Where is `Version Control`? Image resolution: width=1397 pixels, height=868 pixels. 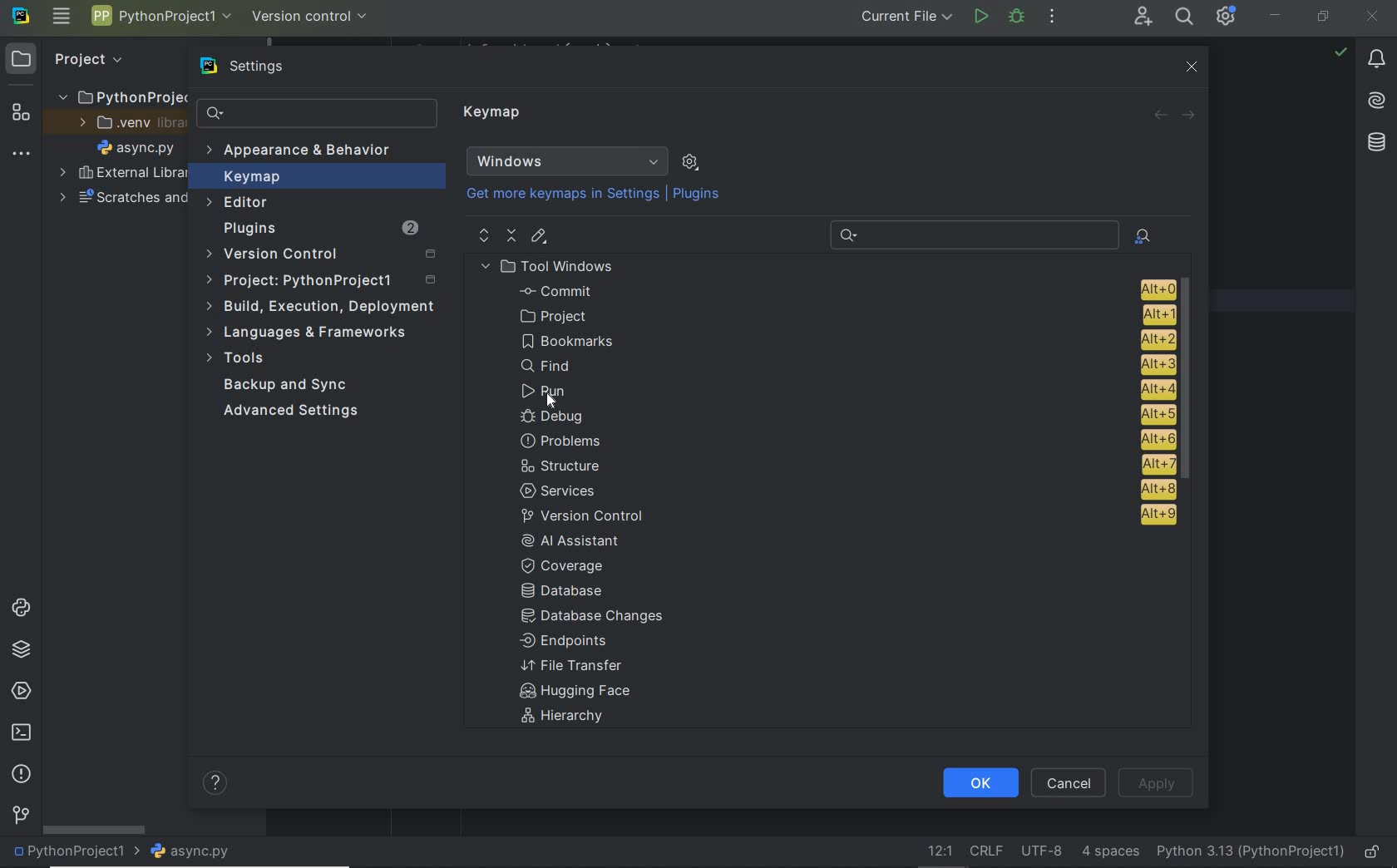 Version Control is located at coordinates (320, 255).